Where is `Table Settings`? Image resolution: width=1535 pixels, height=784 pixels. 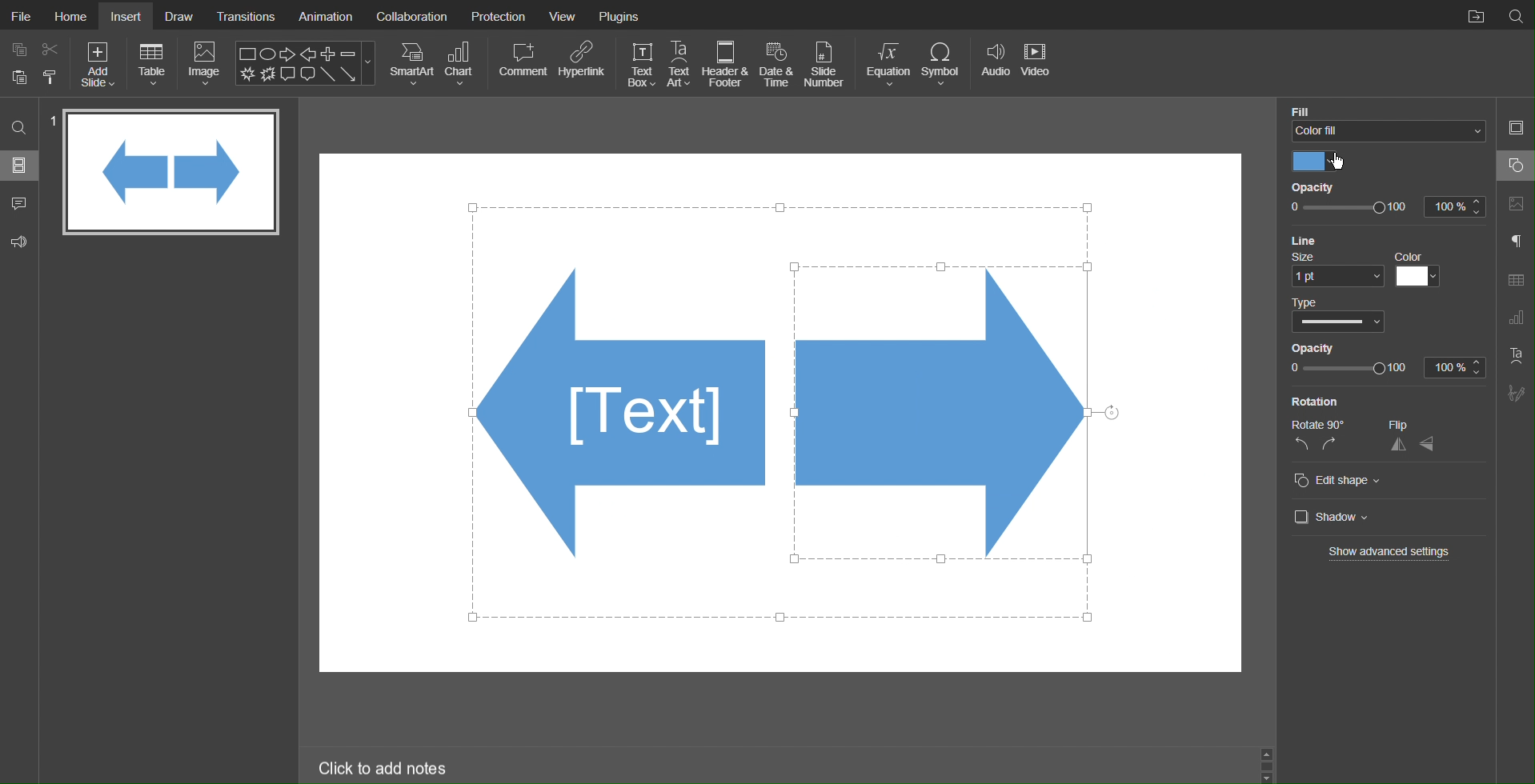 Table Settings is located at coordinates (1516, 279).